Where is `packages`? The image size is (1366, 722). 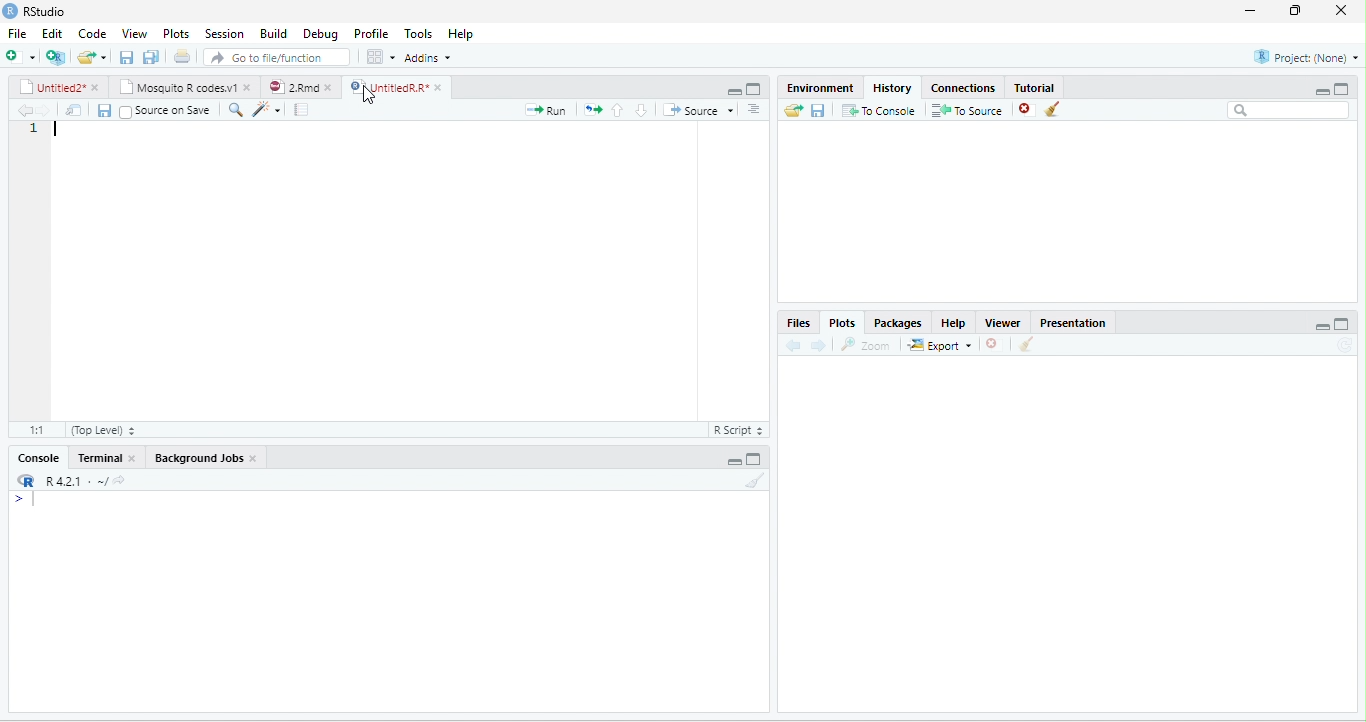 packages is located at coordinates (897, 322).